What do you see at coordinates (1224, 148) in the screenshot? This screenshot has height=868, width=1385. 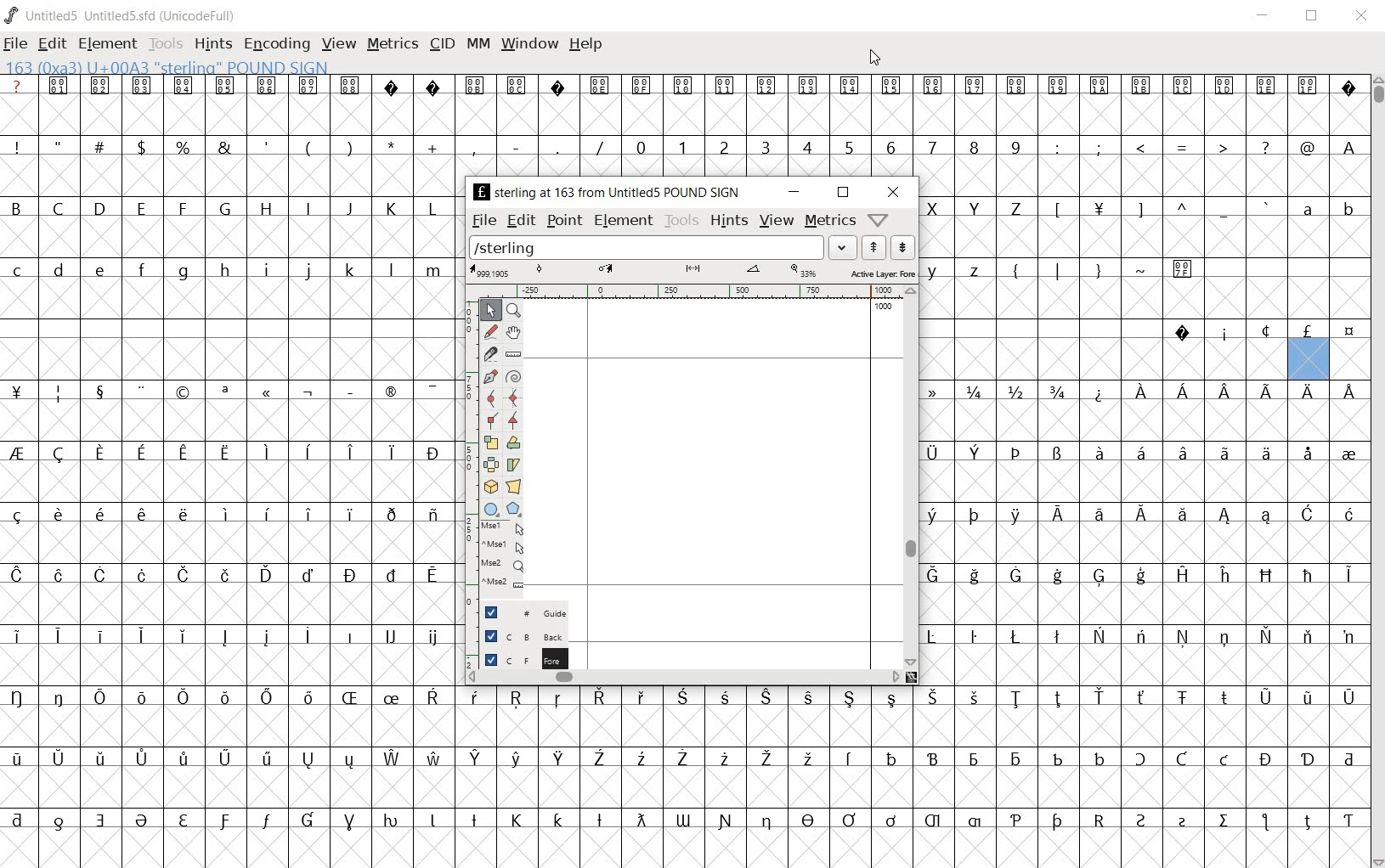 I see `>` at bounding box center [1224, 148].